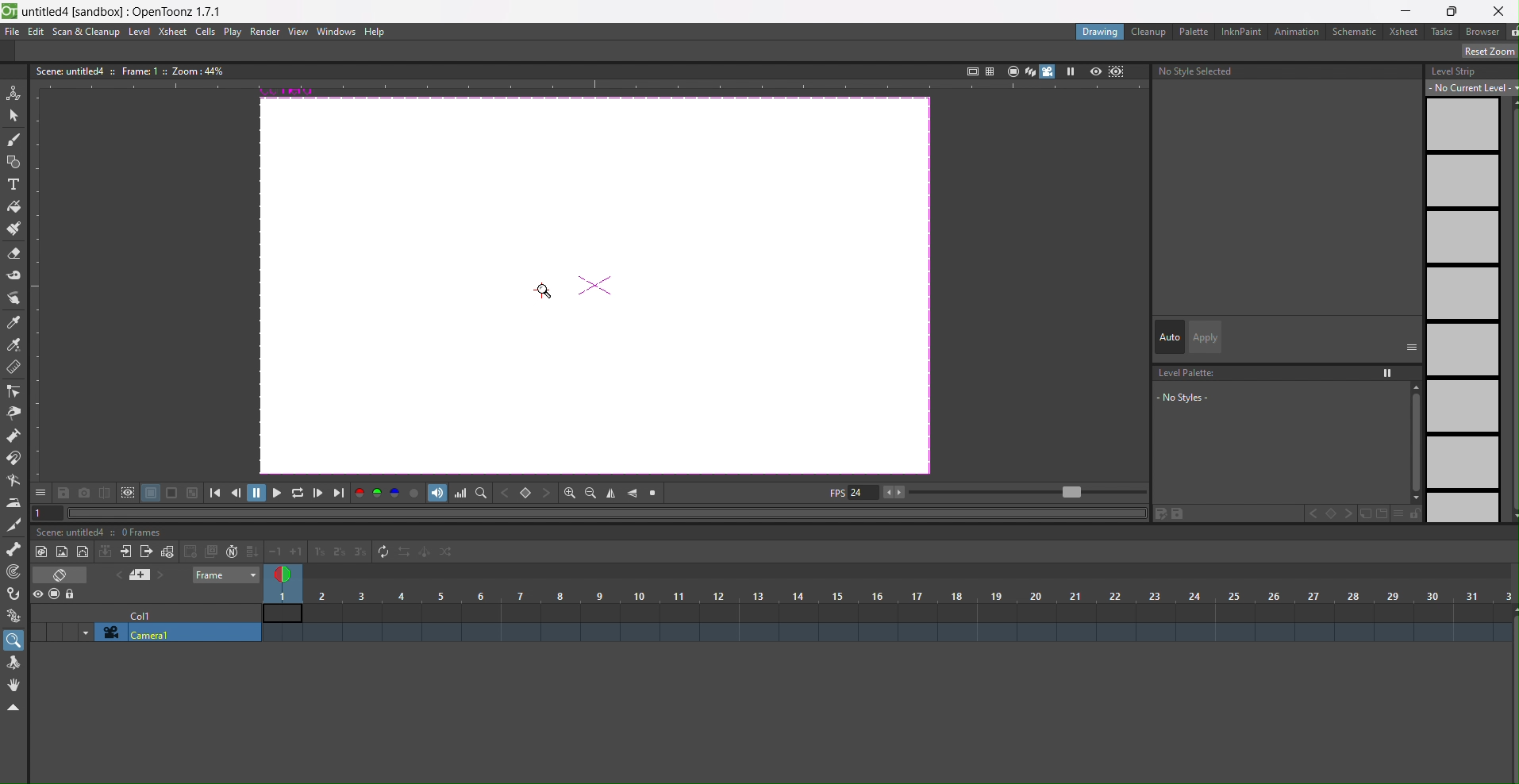 Image resolution: width=1519 pixels, height=784 pixels. I want to click on magnifier tool, so click(15, 640).